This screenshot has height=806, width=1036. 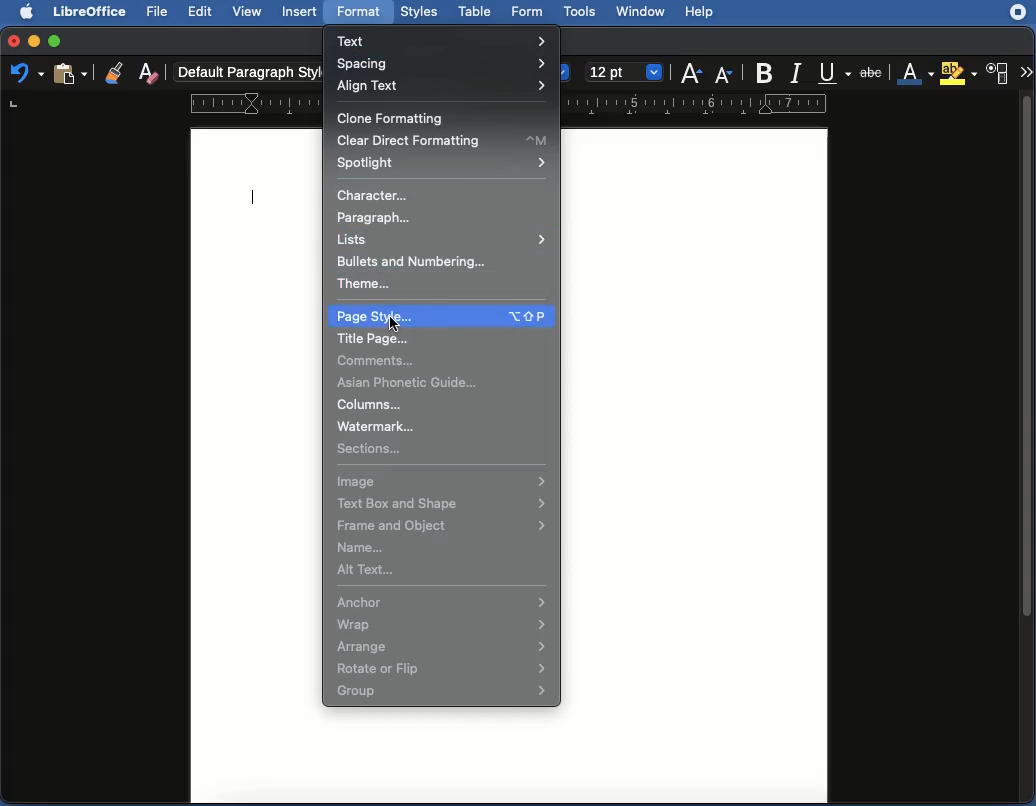 What do you see at coordinates (12, 39) in the screenshot?
I see `Close` at bounding box center [12, 39].